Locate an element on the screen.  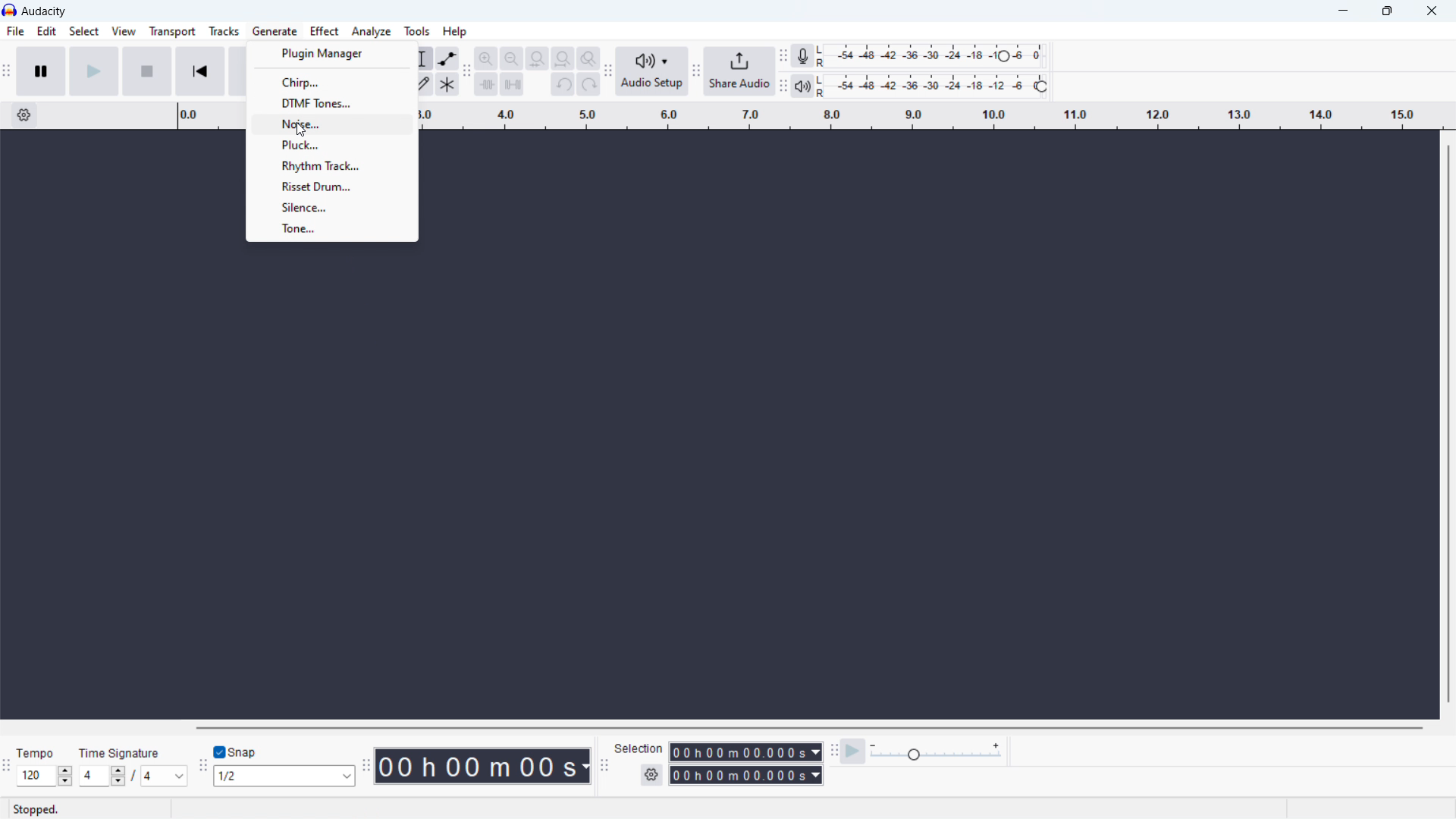
Select is located at coordinates (84, 30).